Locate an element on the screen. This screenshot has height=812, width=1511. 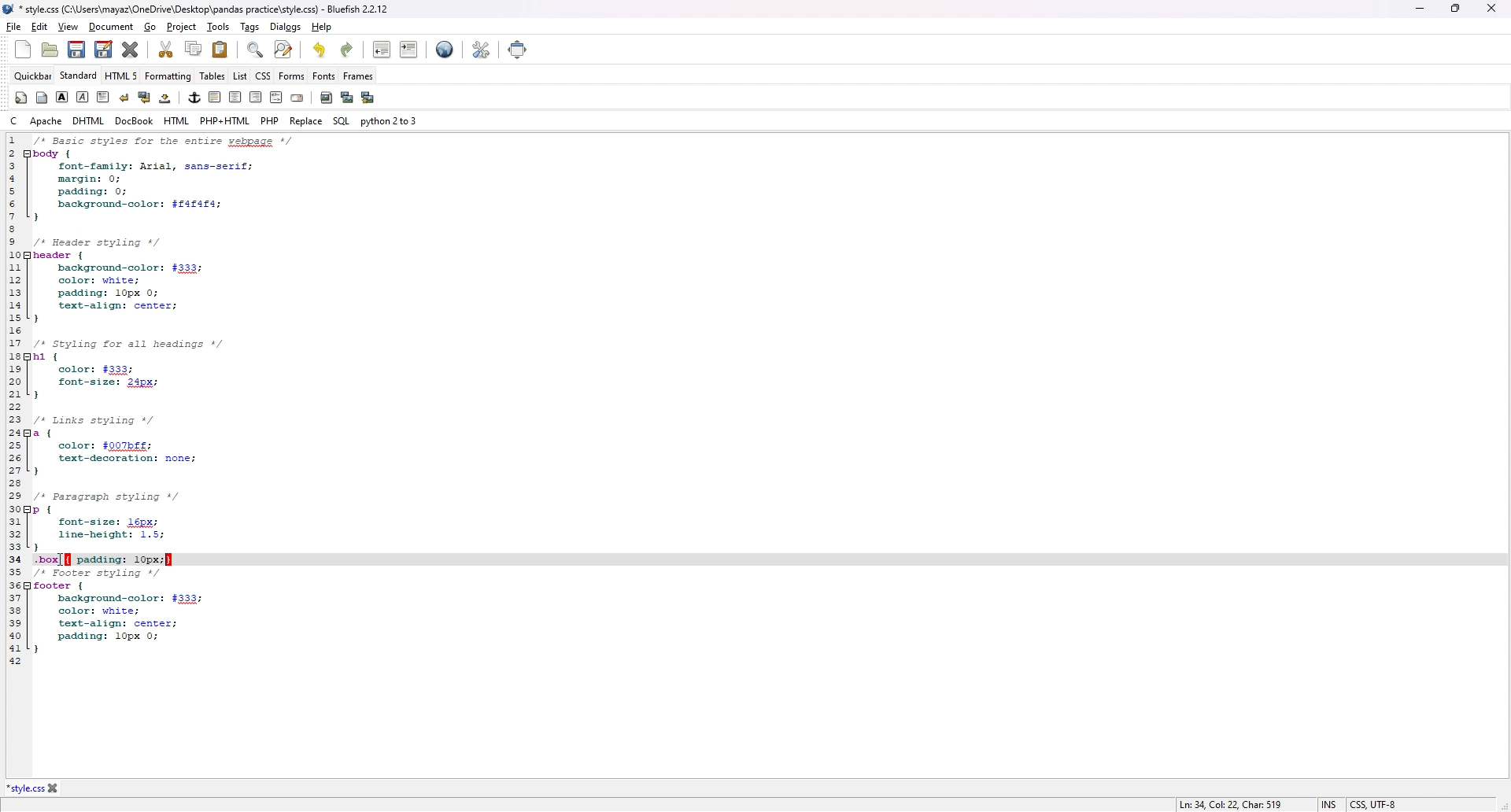
file is located at coordinates (13, 26).